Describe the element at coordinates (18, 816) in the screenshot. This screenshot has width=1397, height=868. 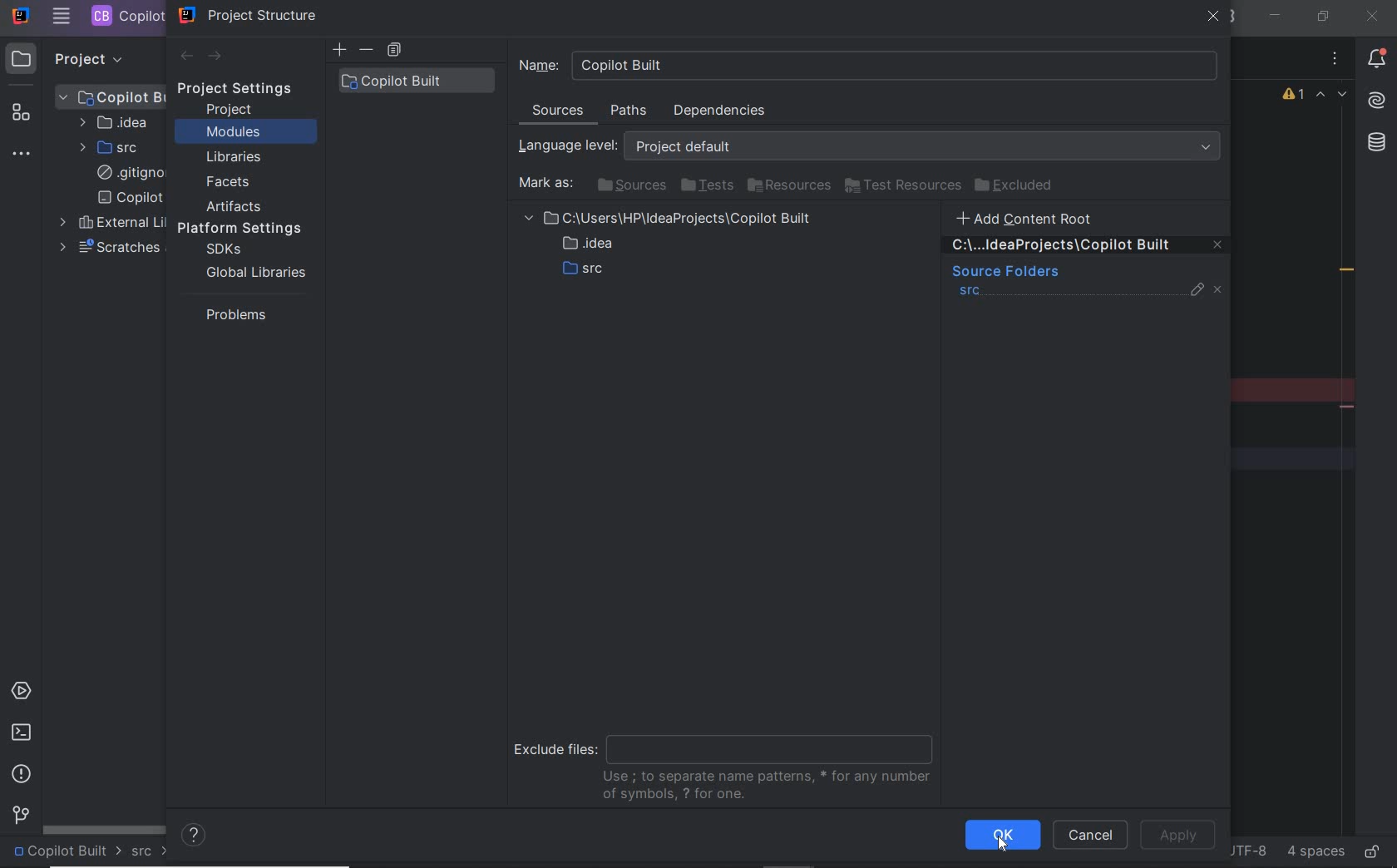
I see `version control` at that location.